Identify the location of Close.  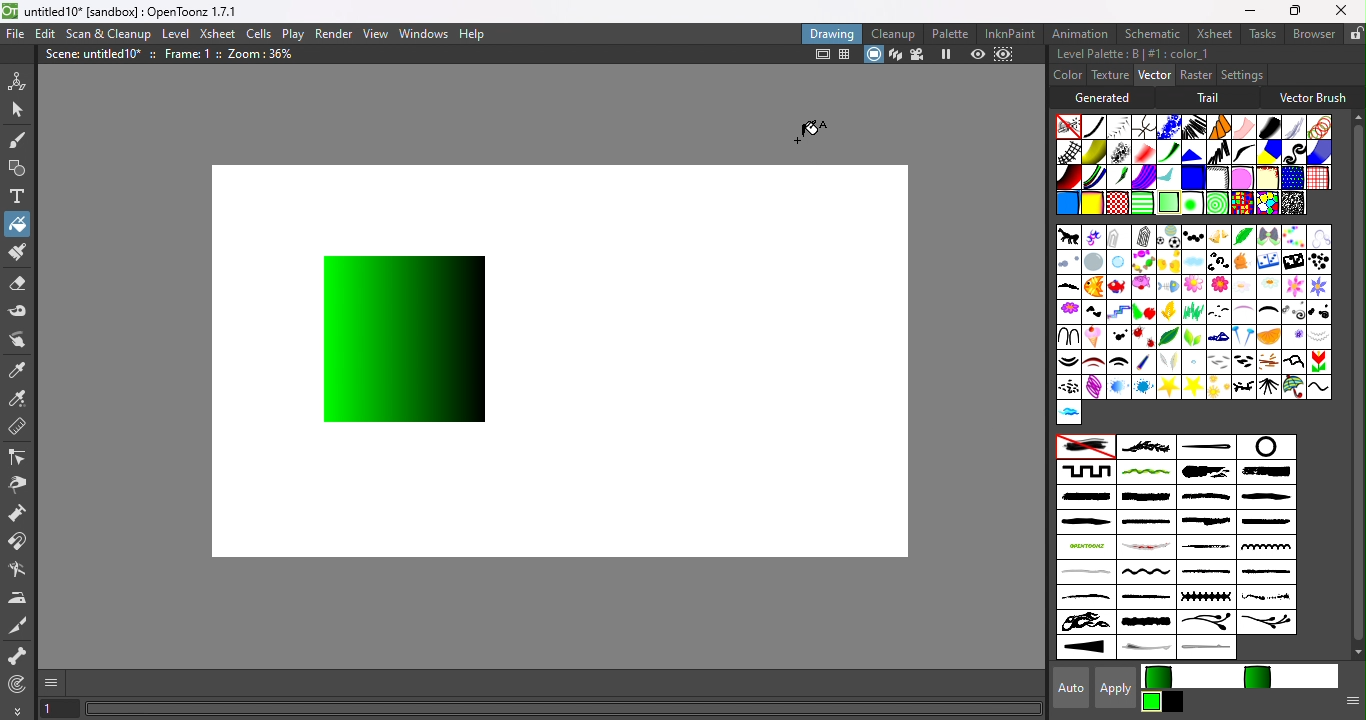
(1342, 10).